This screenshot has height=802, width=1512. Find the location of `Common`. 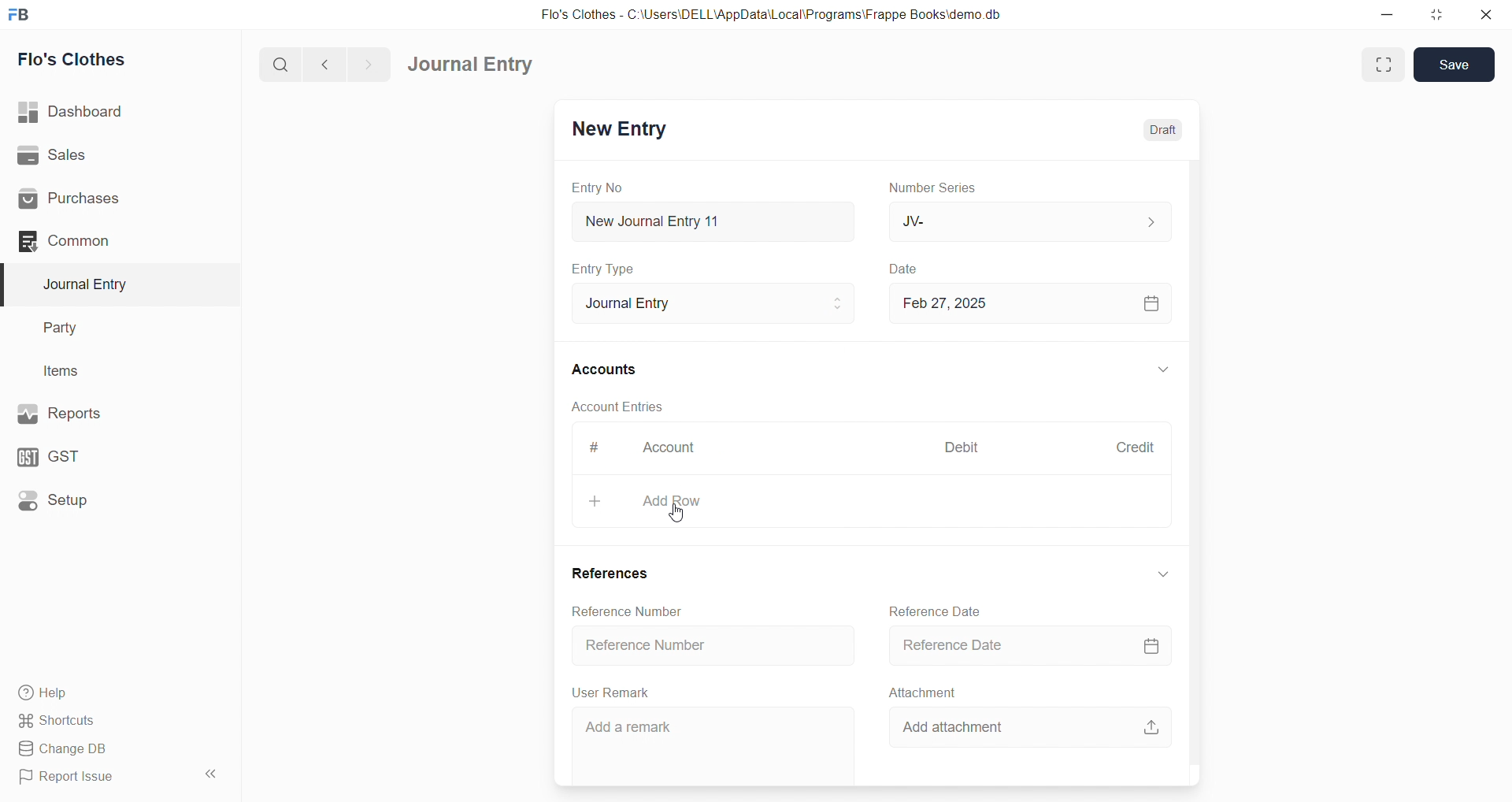

Common is located at coordinates (94, 242).